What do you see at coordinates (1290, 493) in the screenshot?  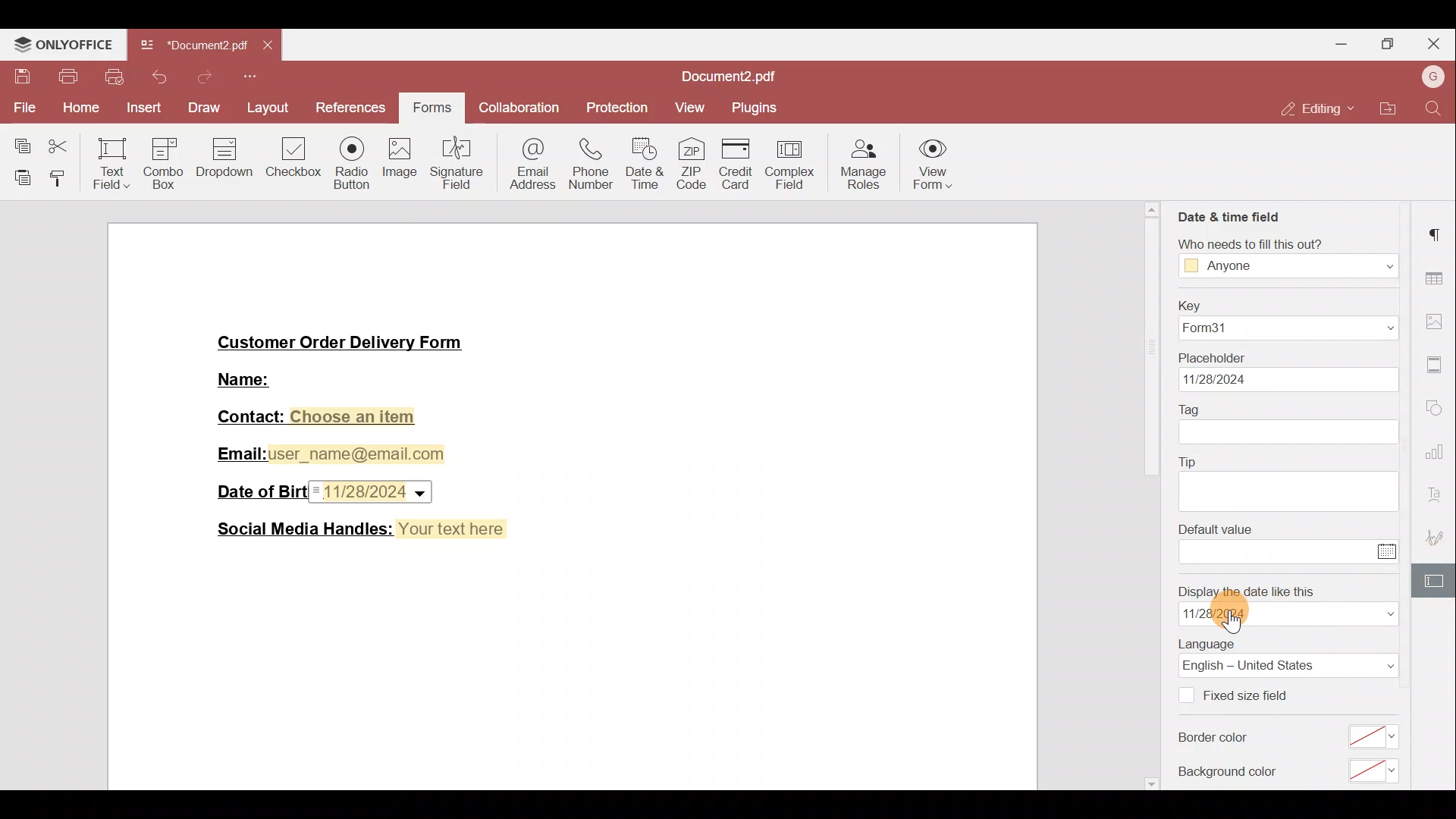 I see `tip` at bounding box center [1290, 493].